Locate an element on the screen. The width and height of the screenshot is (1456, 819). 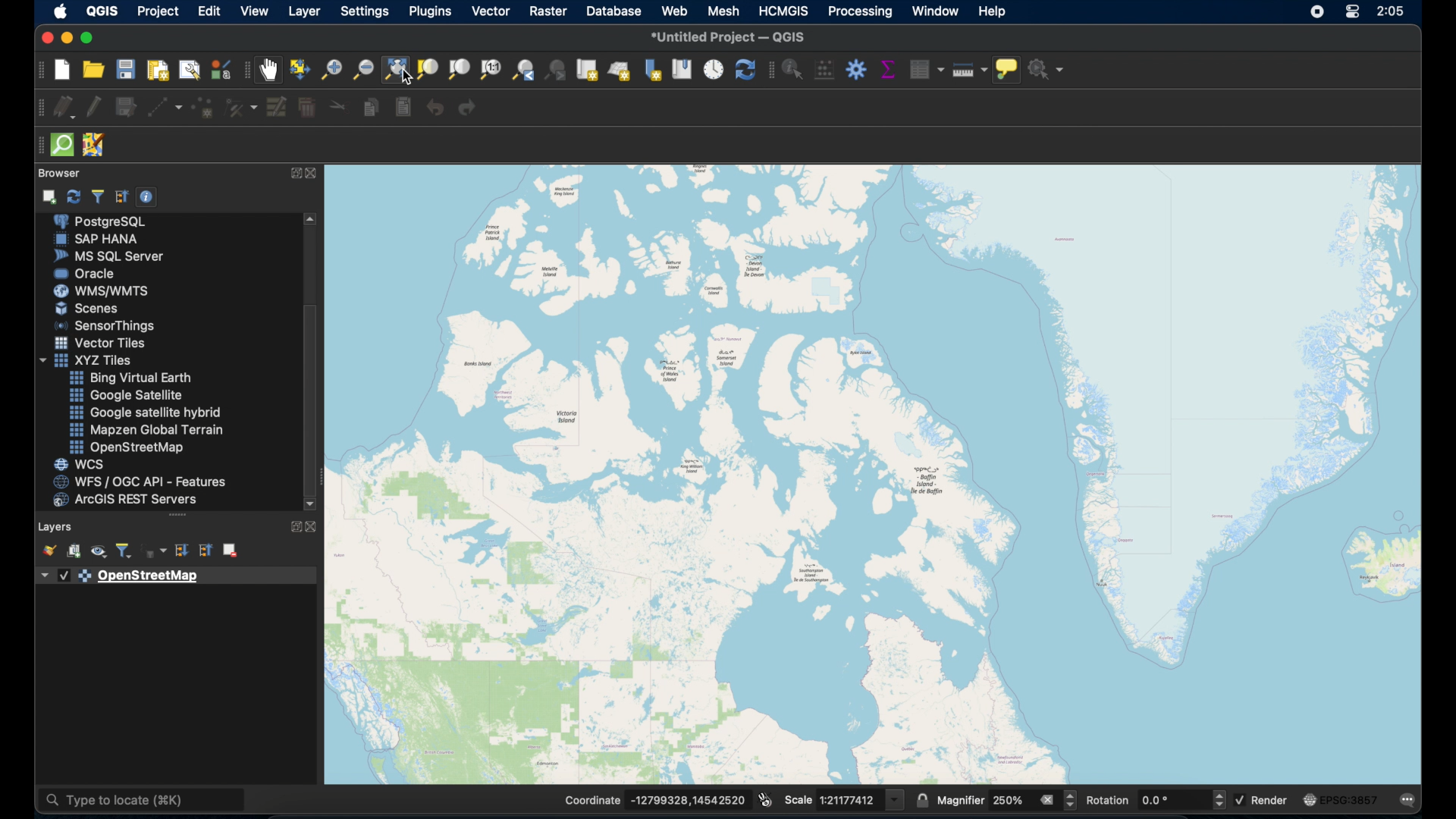
zoom to selection is located at coordinates (459, 68).